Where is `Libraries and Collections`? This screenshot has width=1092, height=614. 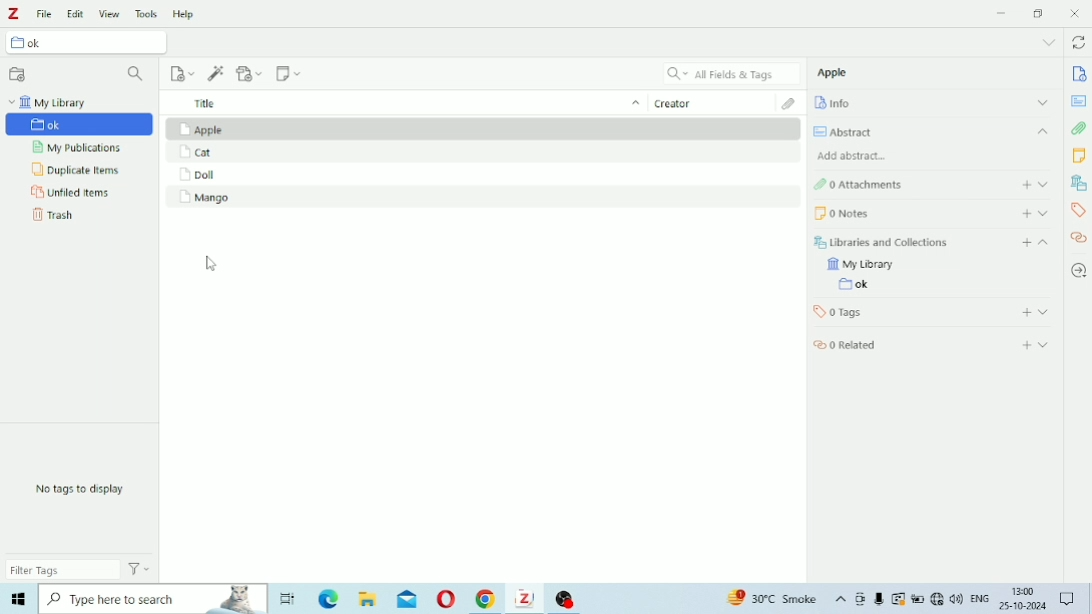 Libraries and Collections is located at coordinates (1077, 182).